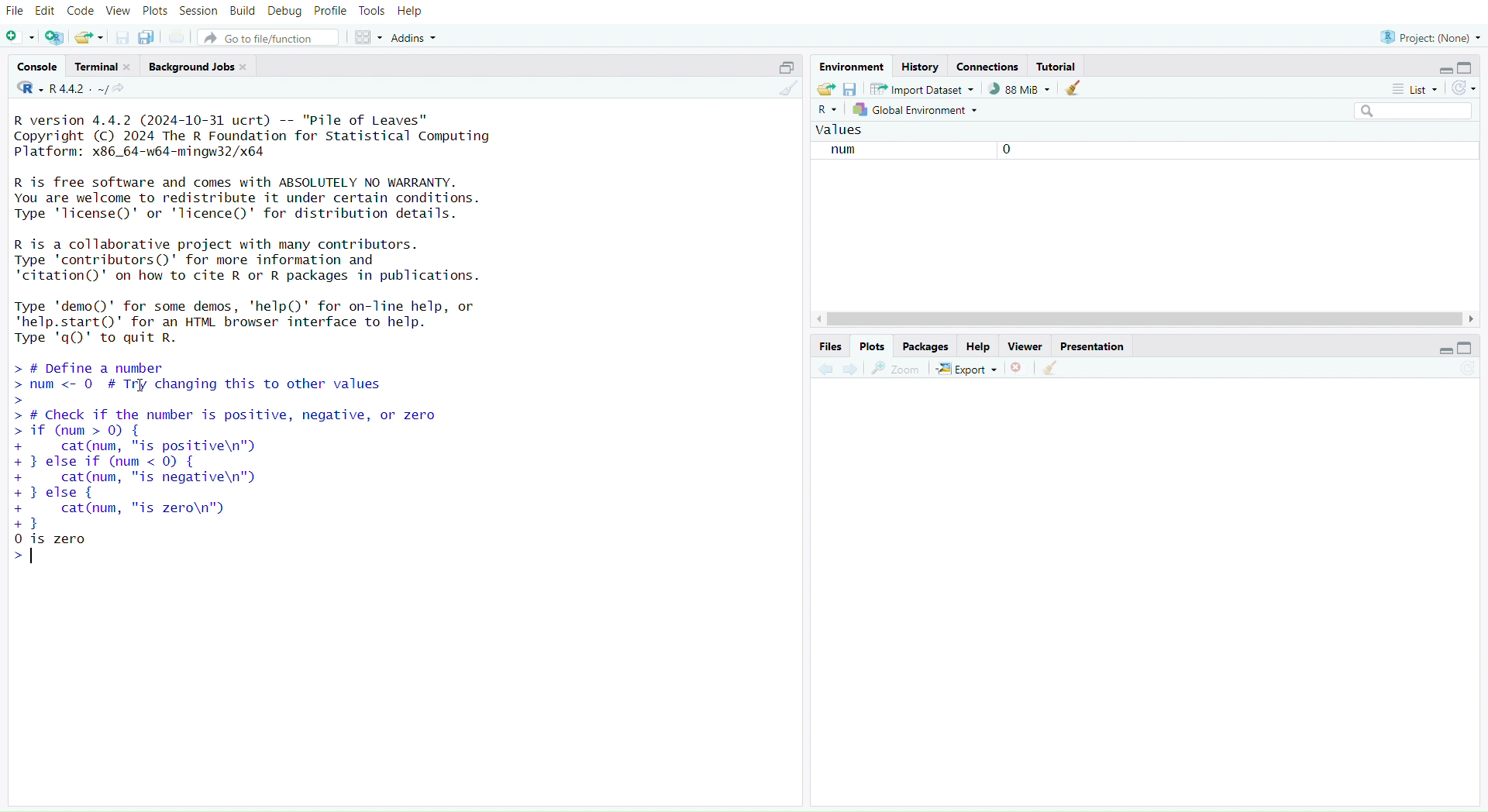  What do you see at coordinates (871, 346) in the screenshot?
I see `plots` at bounding box center [871, 346].